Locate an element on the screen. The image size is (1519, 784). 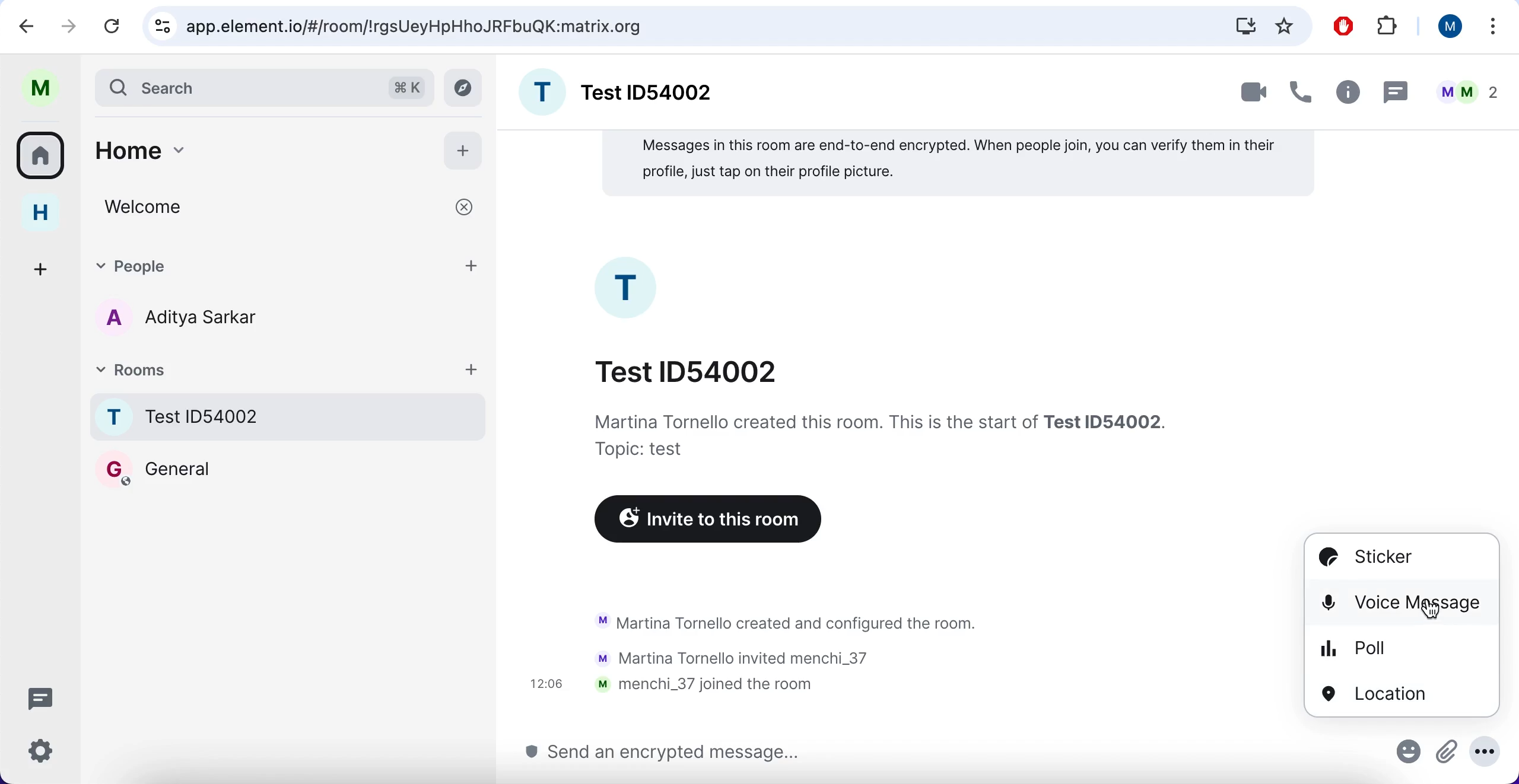
profile picture is located at coordinates (629, 286).